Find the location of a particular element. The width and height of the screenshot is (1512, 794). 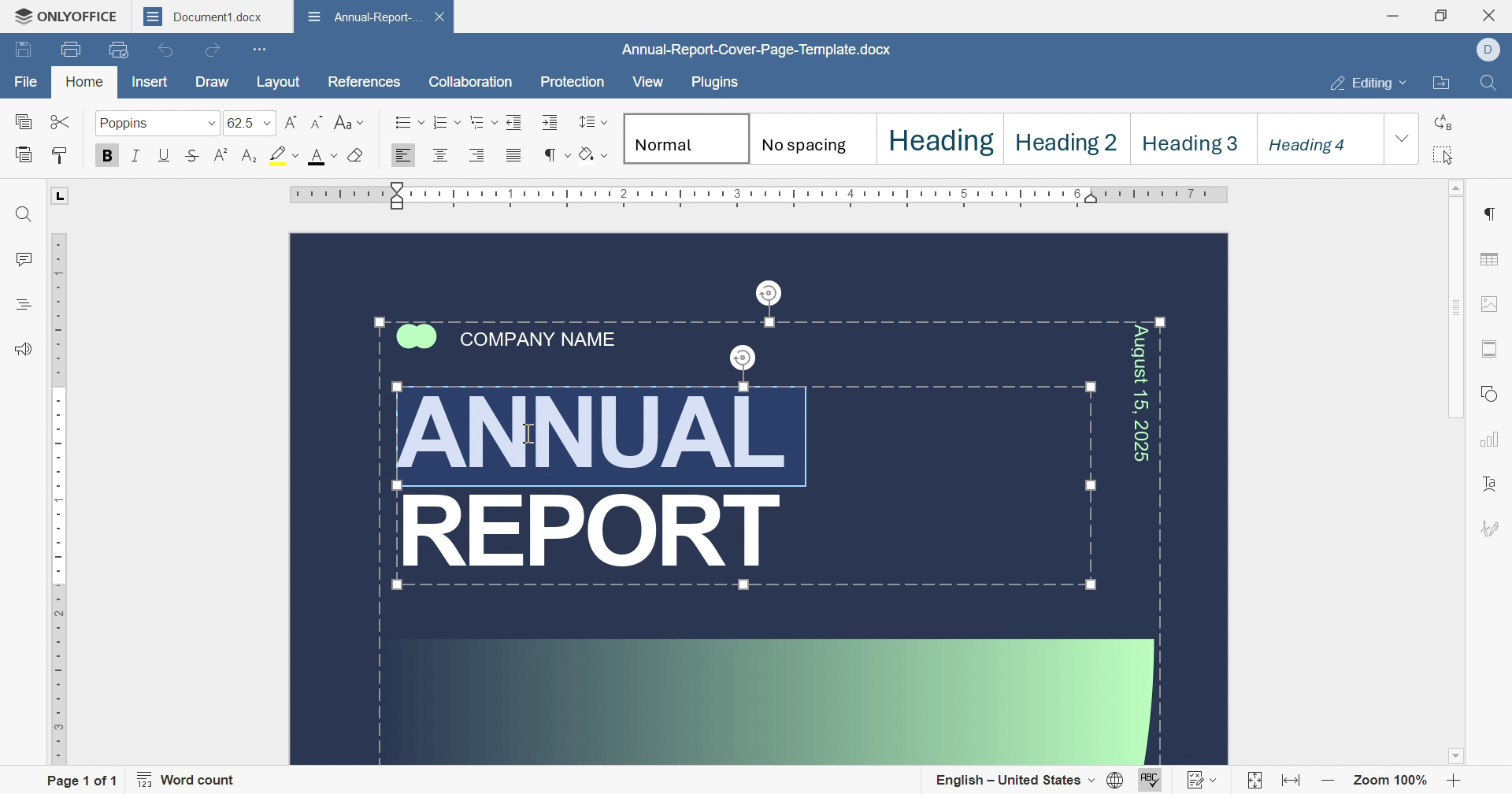

collaboration is located at coordinates (471, 83).